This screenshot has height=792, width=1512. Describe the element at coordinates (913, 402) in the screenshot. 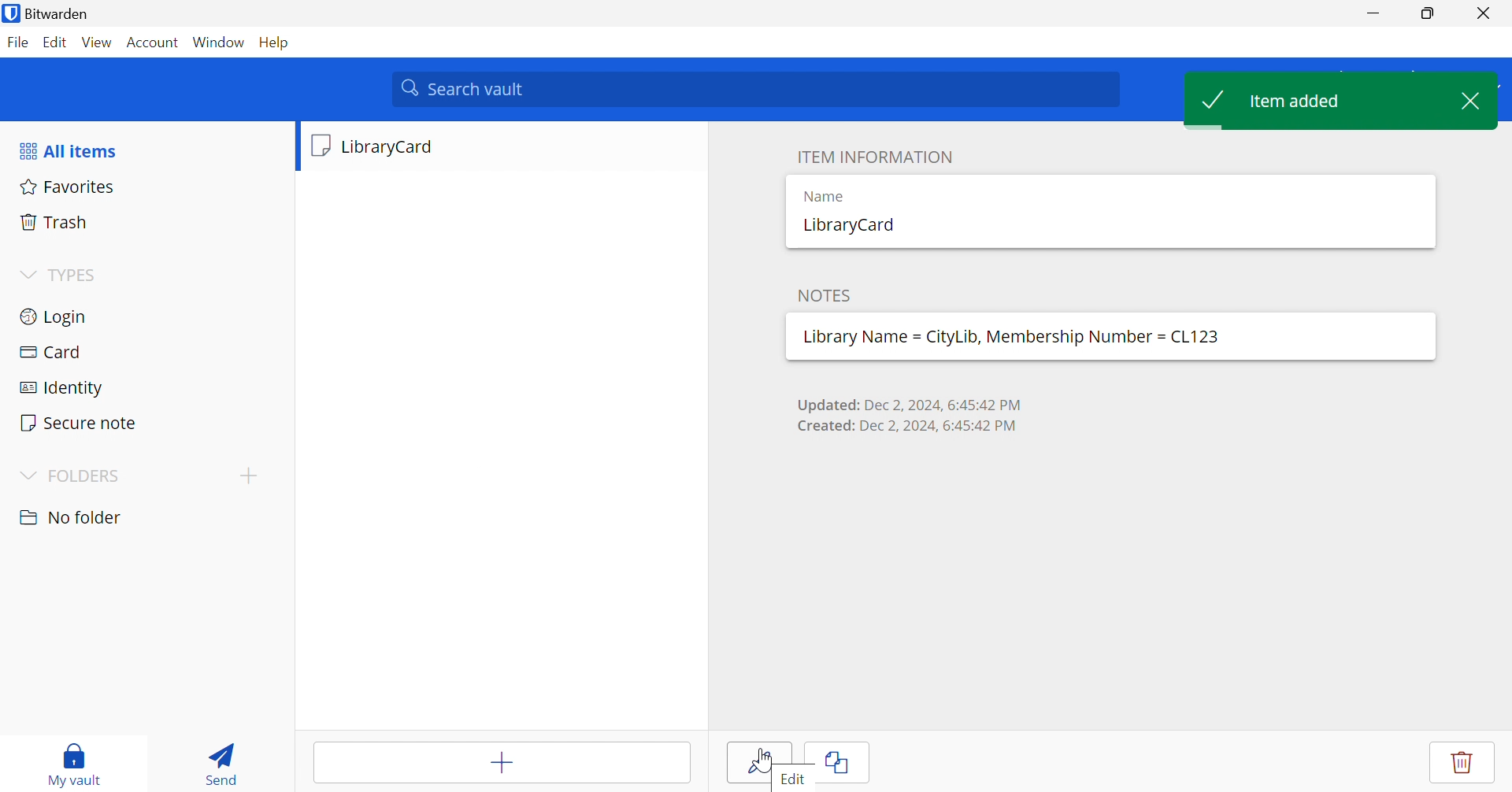

I see `Updated: Dec 2, 2024, 6:45:42 PM` at that location.